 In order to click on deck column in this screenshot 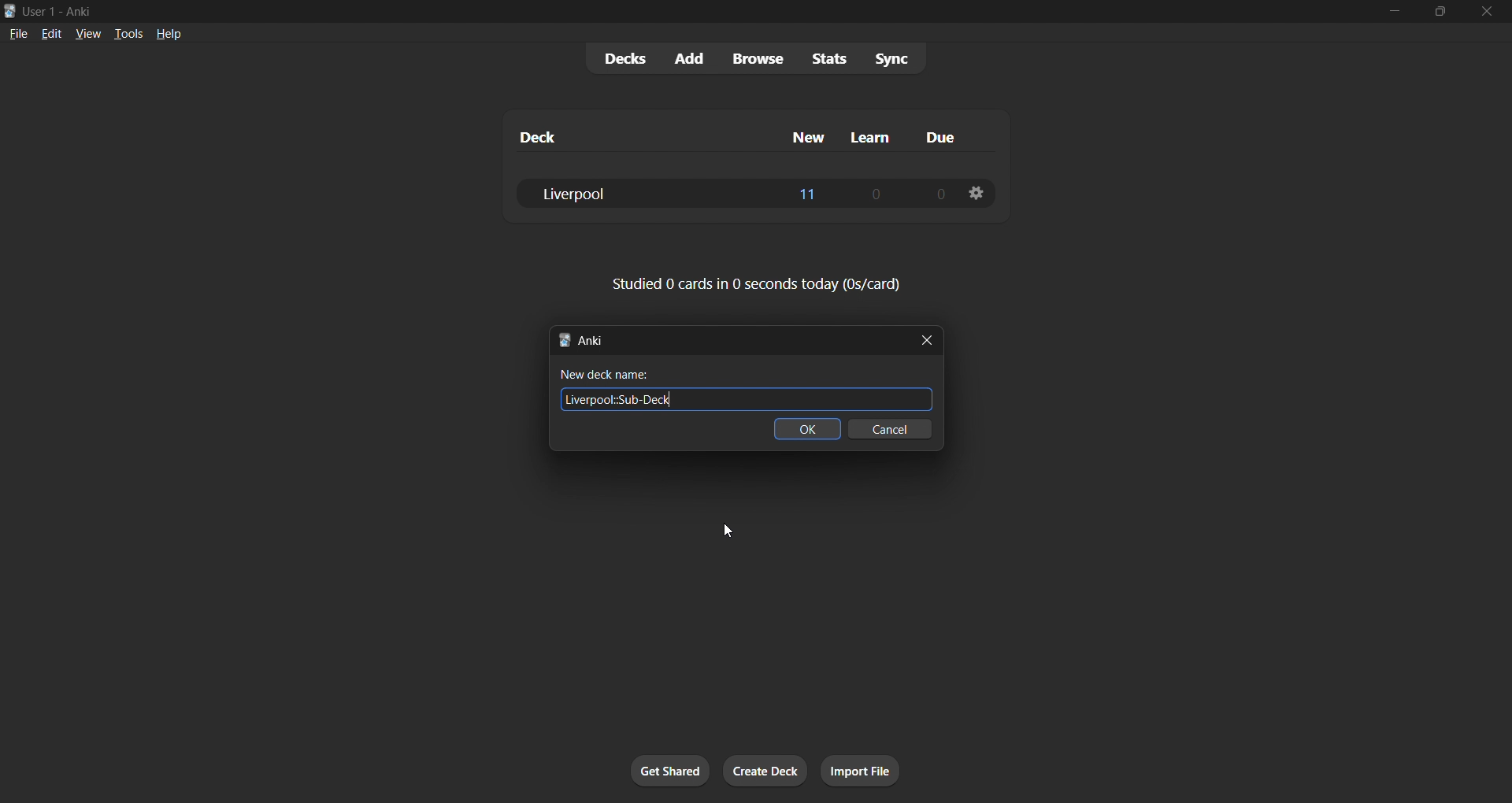, I will do `click(636, 137)`.